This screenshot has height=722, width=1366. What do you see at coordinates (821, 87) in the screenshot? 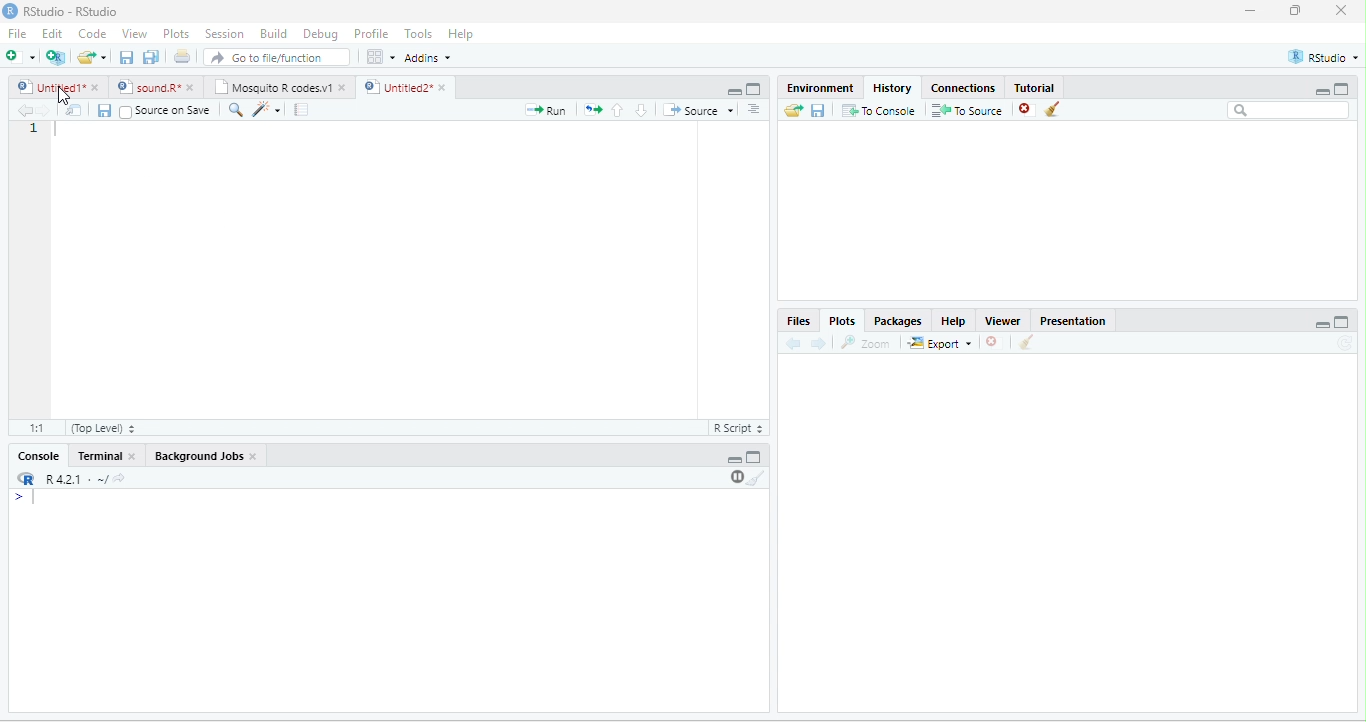
I see `Environment` at bounding box center [821, 87].